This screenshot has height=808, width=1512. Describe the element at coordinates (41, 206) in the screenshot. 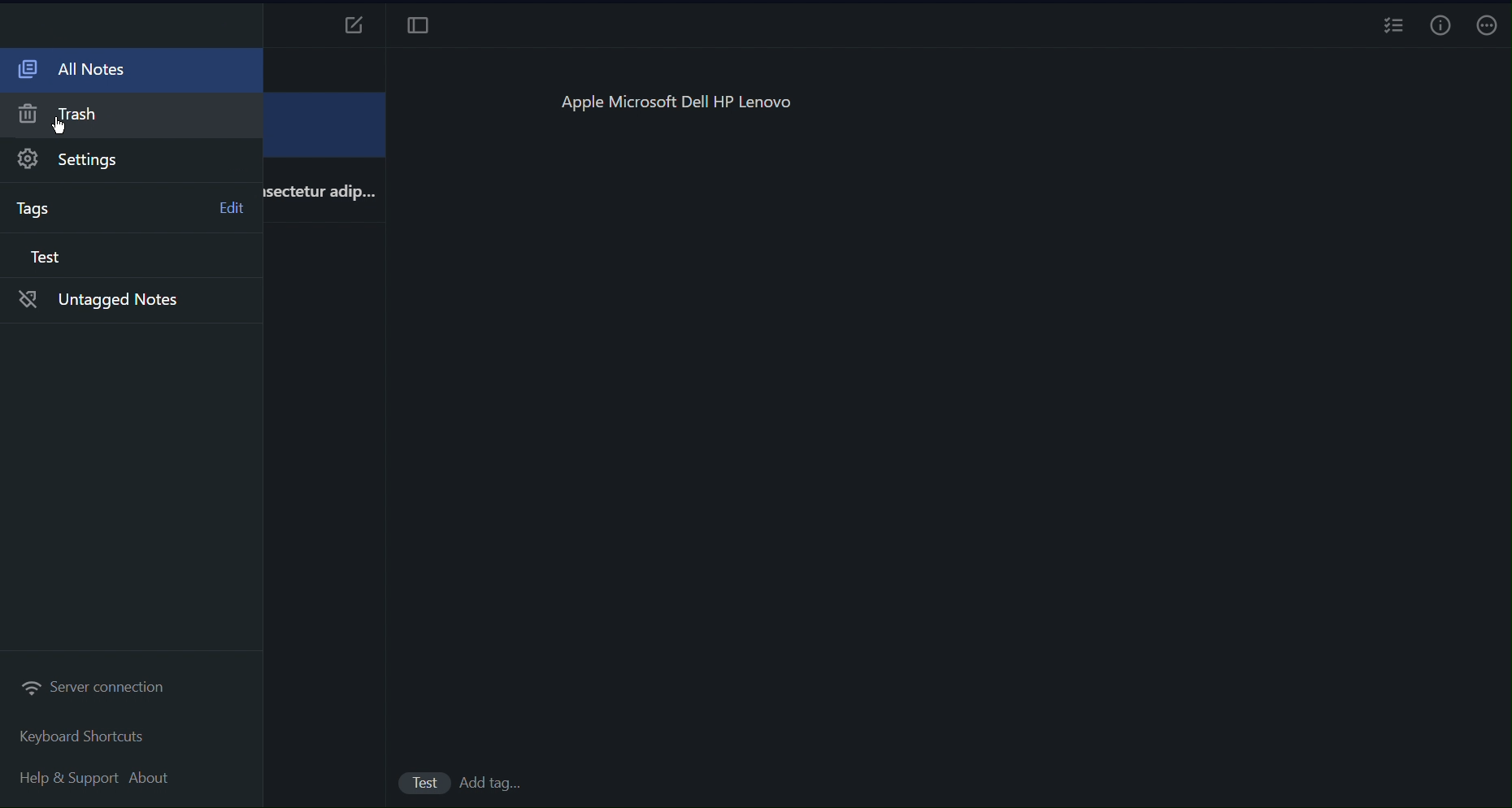

I see `Tags` at that location.